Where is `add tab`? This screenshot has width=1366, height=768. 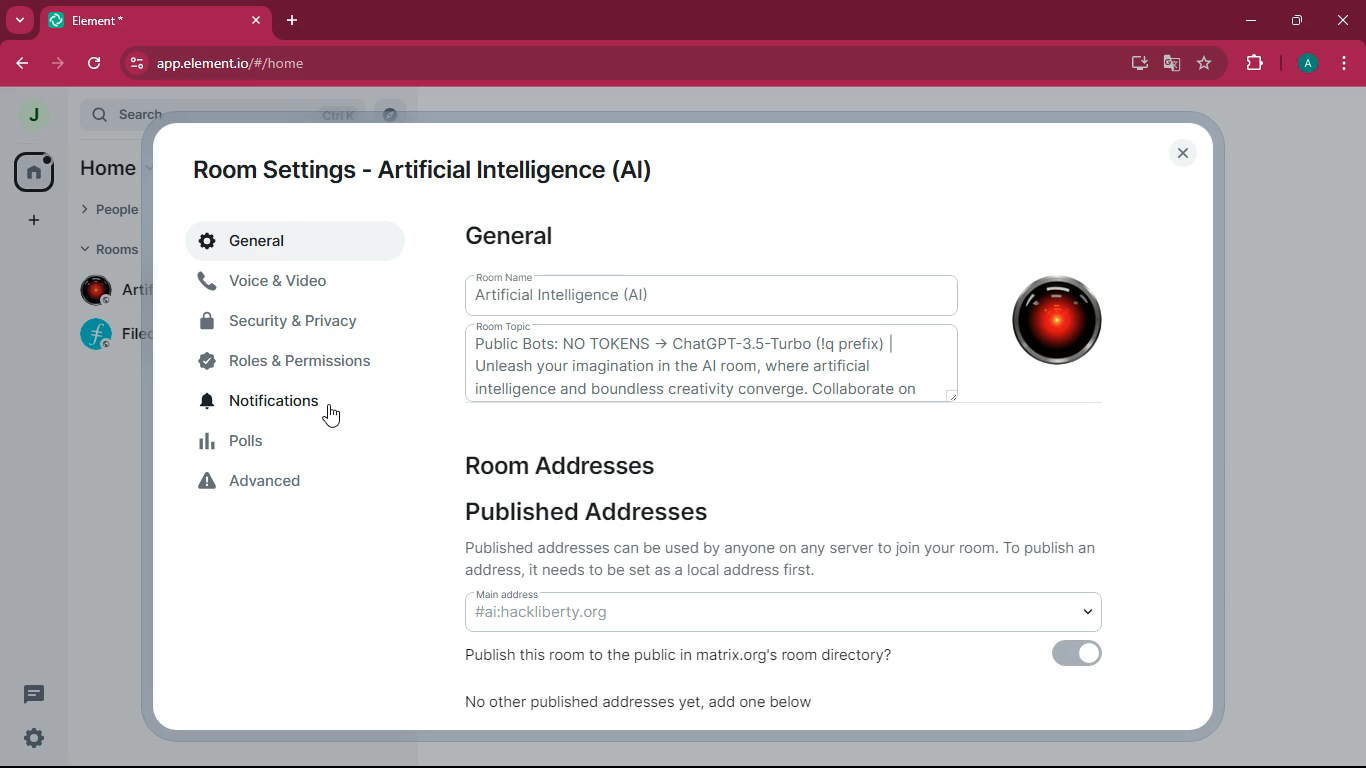 add tab is located at coordinates (296, 22).